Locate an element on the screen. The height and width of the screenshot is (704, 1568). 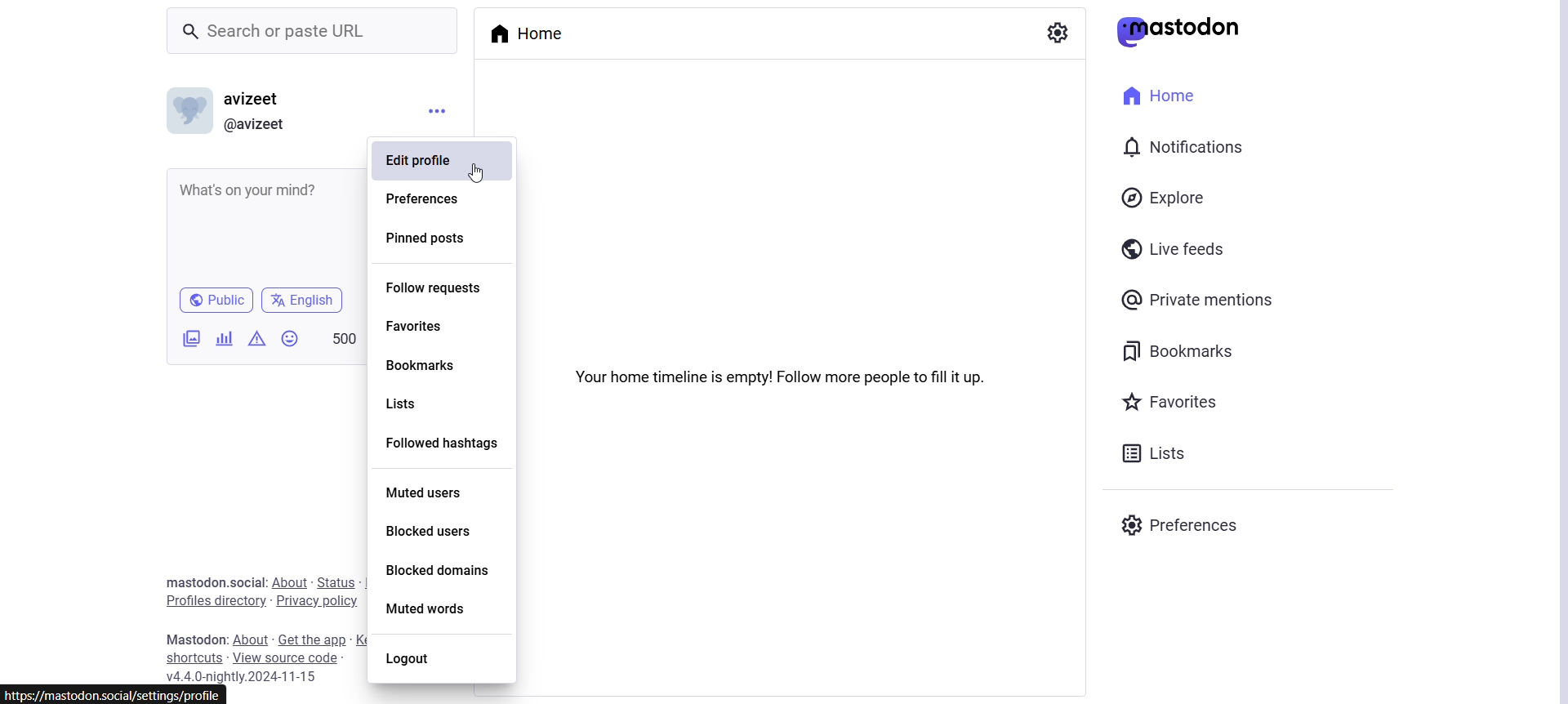
Blocked Users is located at coordinates (432, 532).